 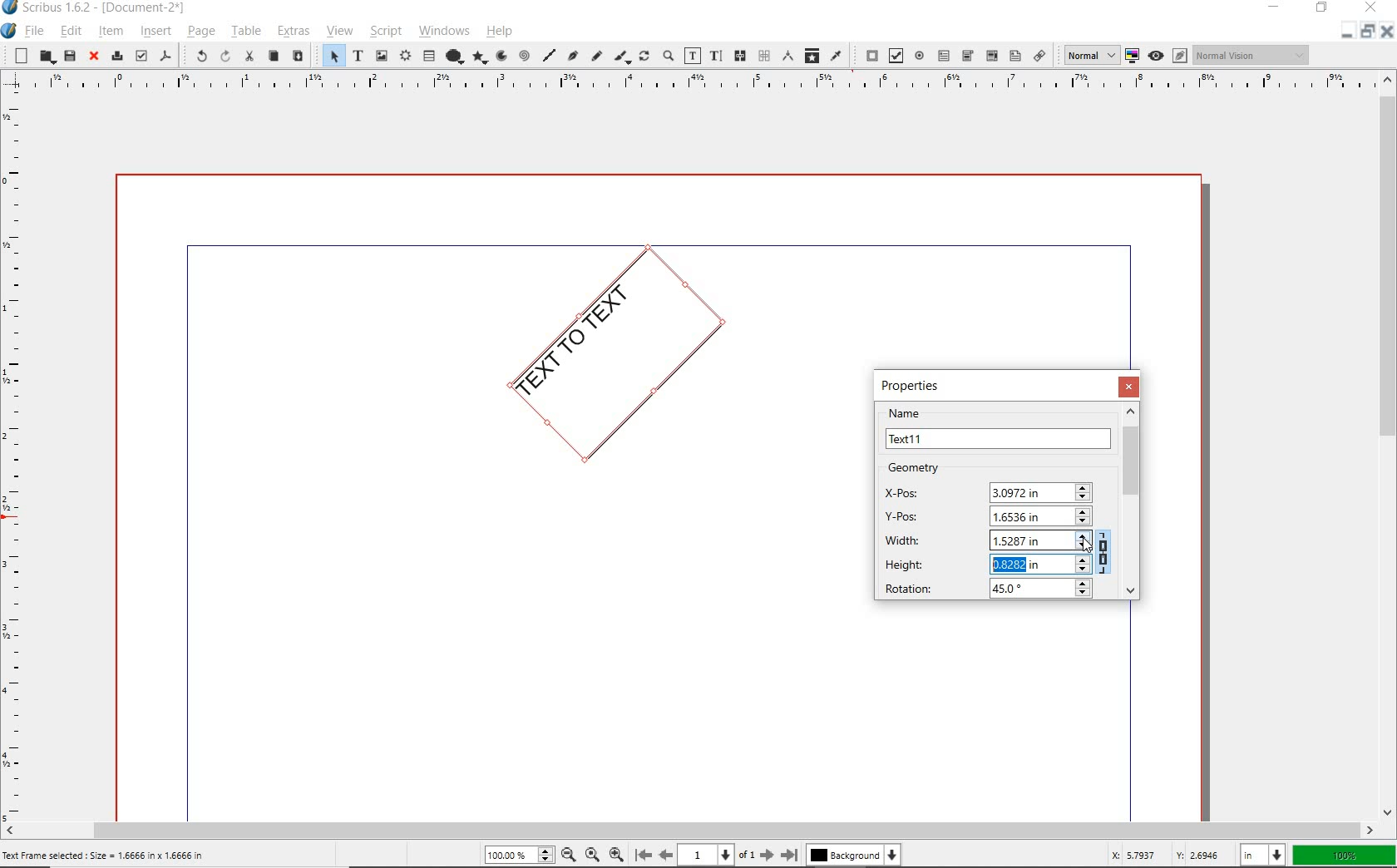 What do you see at coordinates (792, 856) in the screenshot?
I see `move to last` at bounding box center [792, 856].